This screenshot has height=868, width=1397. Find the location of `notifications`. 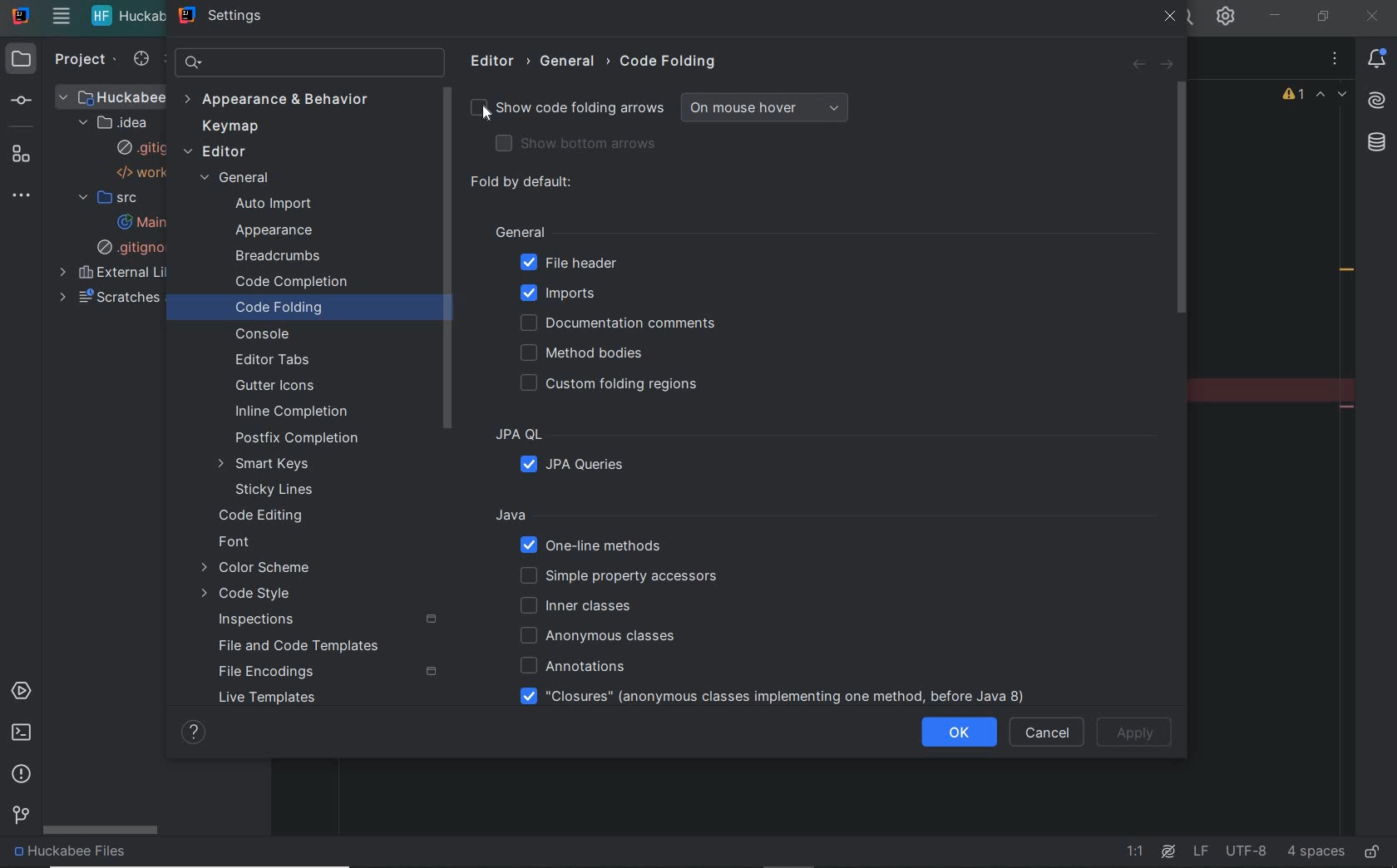

notifications is located at coordinates (1381, 57).